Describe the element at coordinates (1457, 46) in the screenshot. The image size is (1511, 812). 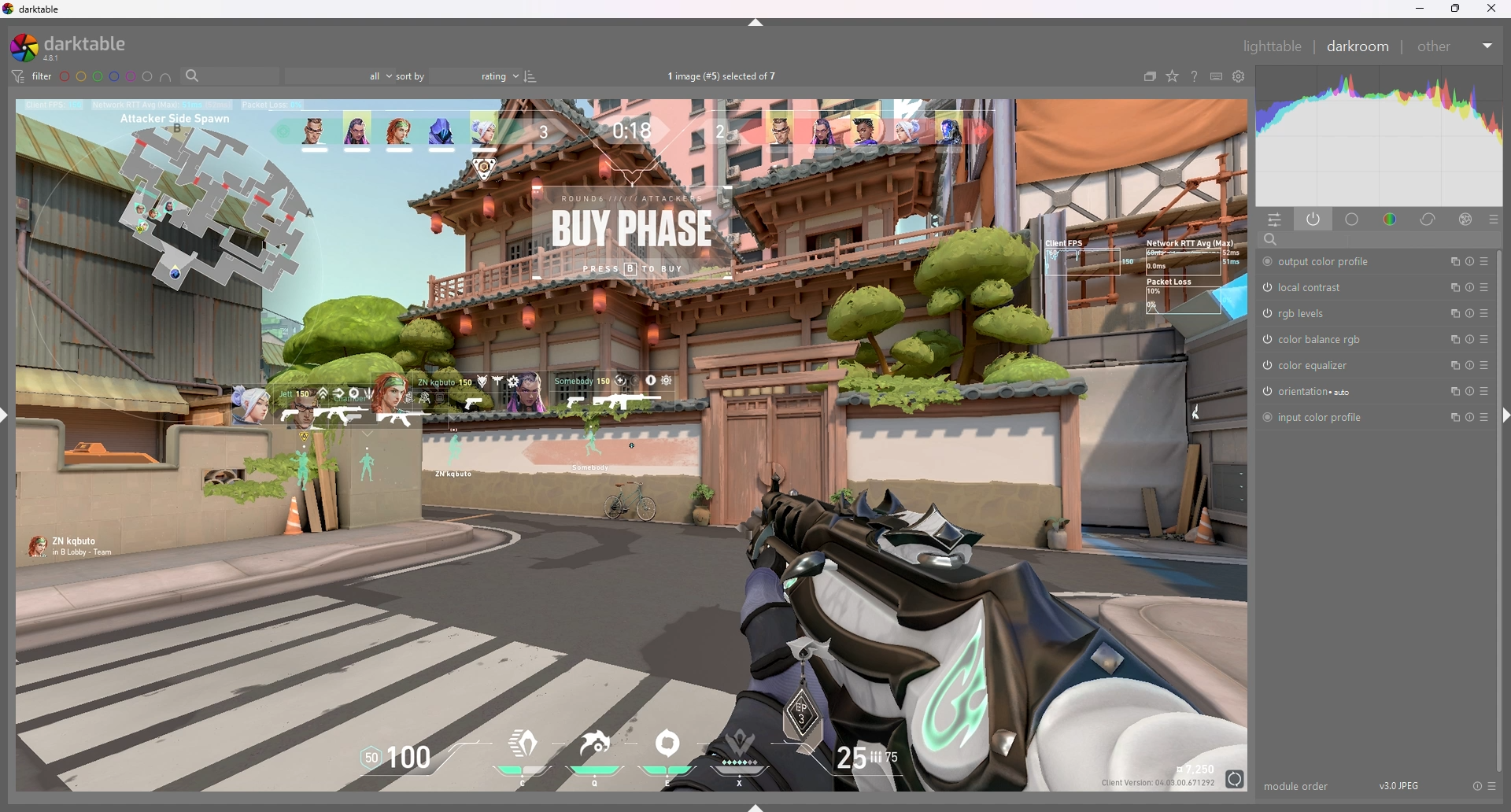
I see `other` at that location.